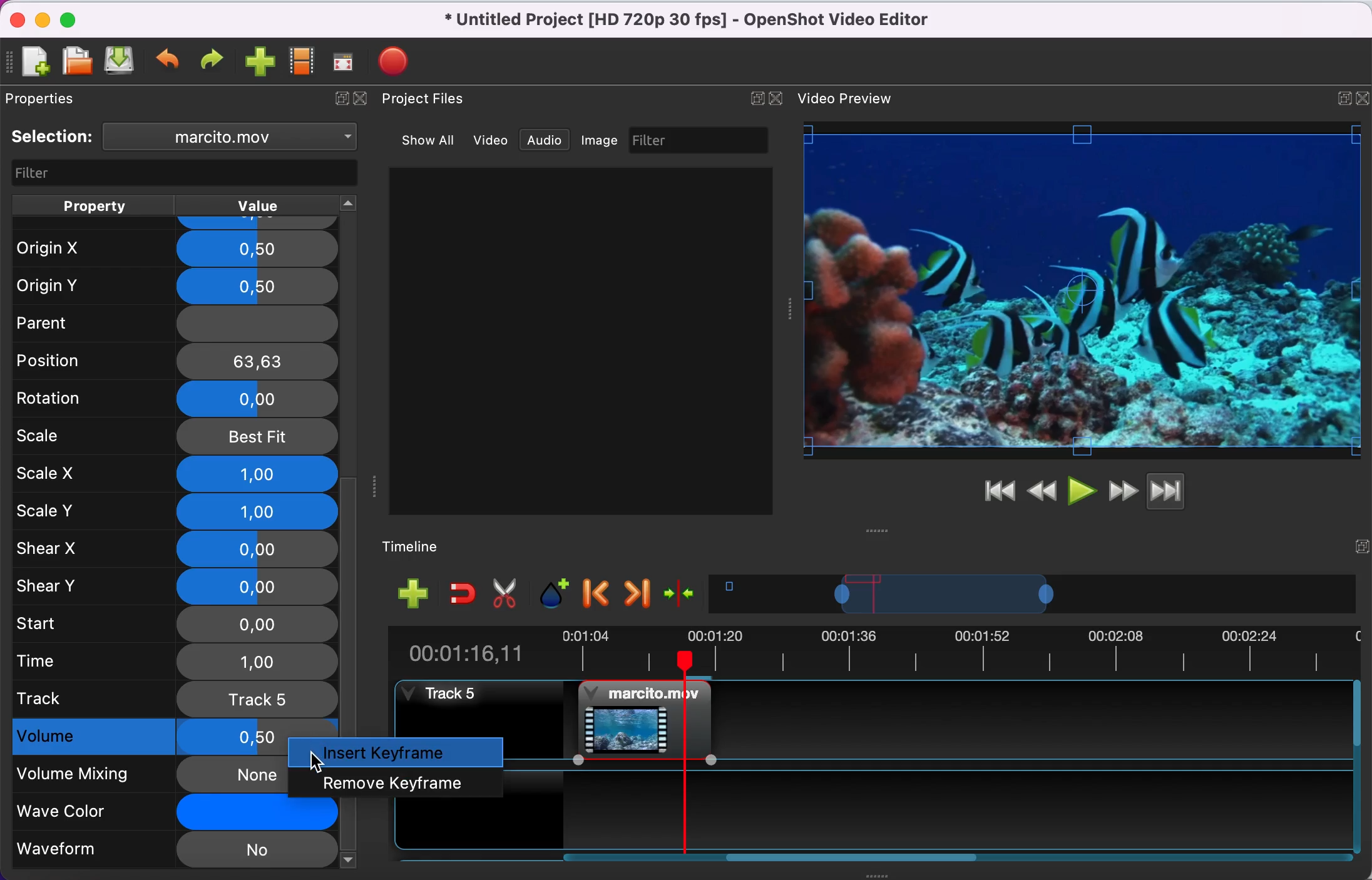 This screenshot has height=880, width=1372. What do you see at coordinates (422, 138) in the screenshot?
I see `show all` at bounding box center [422, 138].